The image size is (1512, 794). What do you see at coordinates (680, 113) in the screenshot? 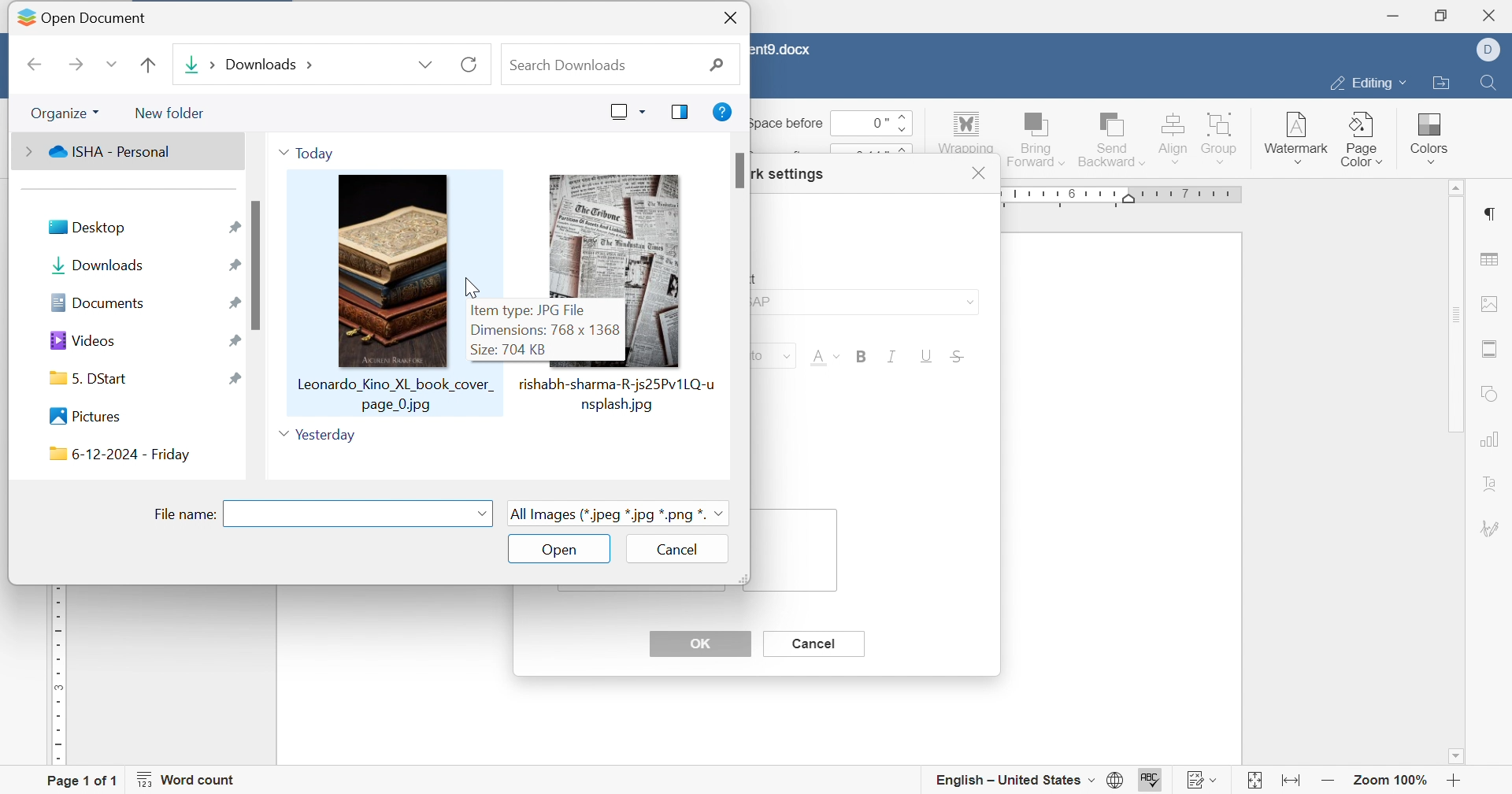
I see `show the preview pane` at bounding box center [680, 113].